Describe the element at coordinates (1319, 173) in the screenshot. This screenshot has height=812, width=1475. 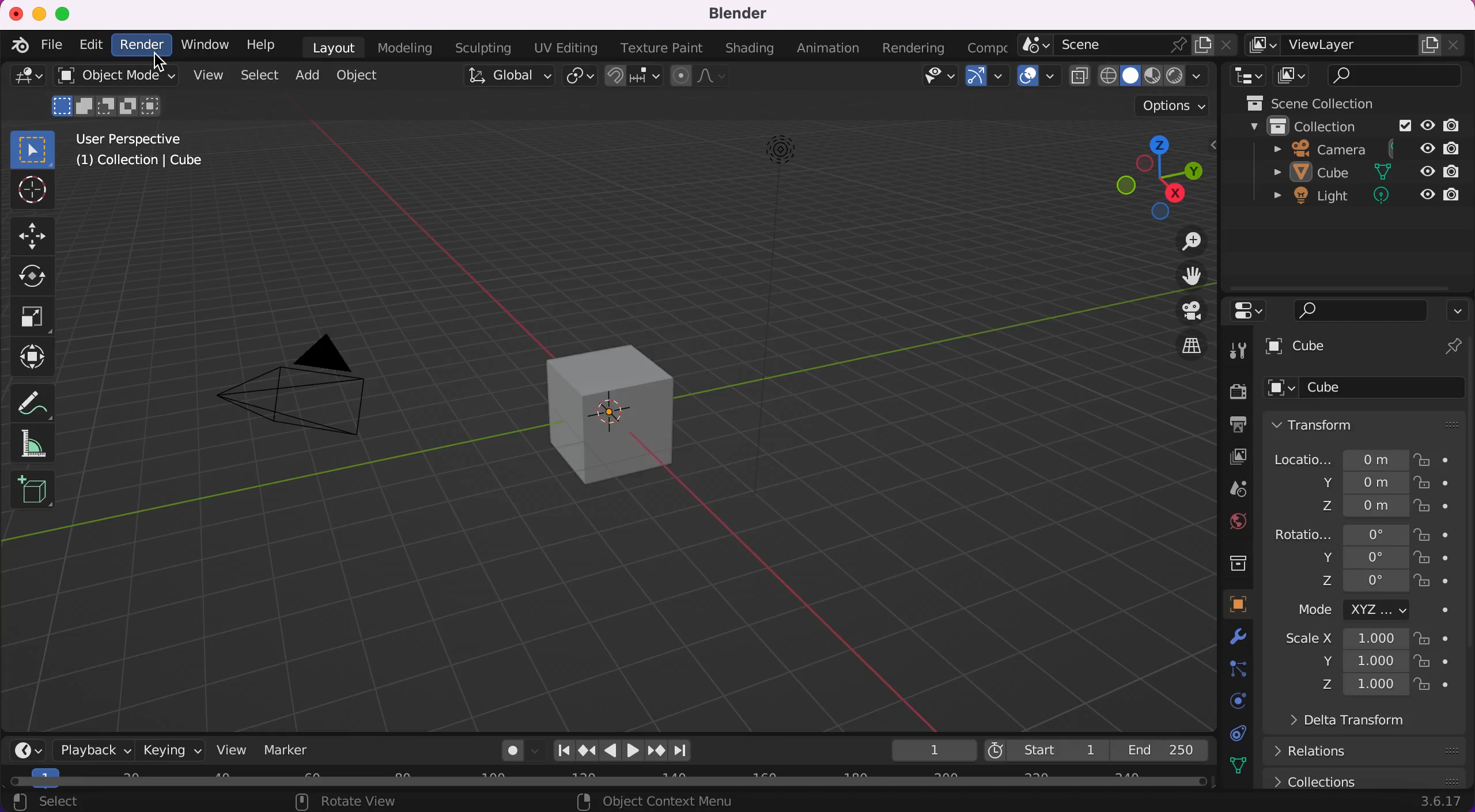
I see `sube` at that location.